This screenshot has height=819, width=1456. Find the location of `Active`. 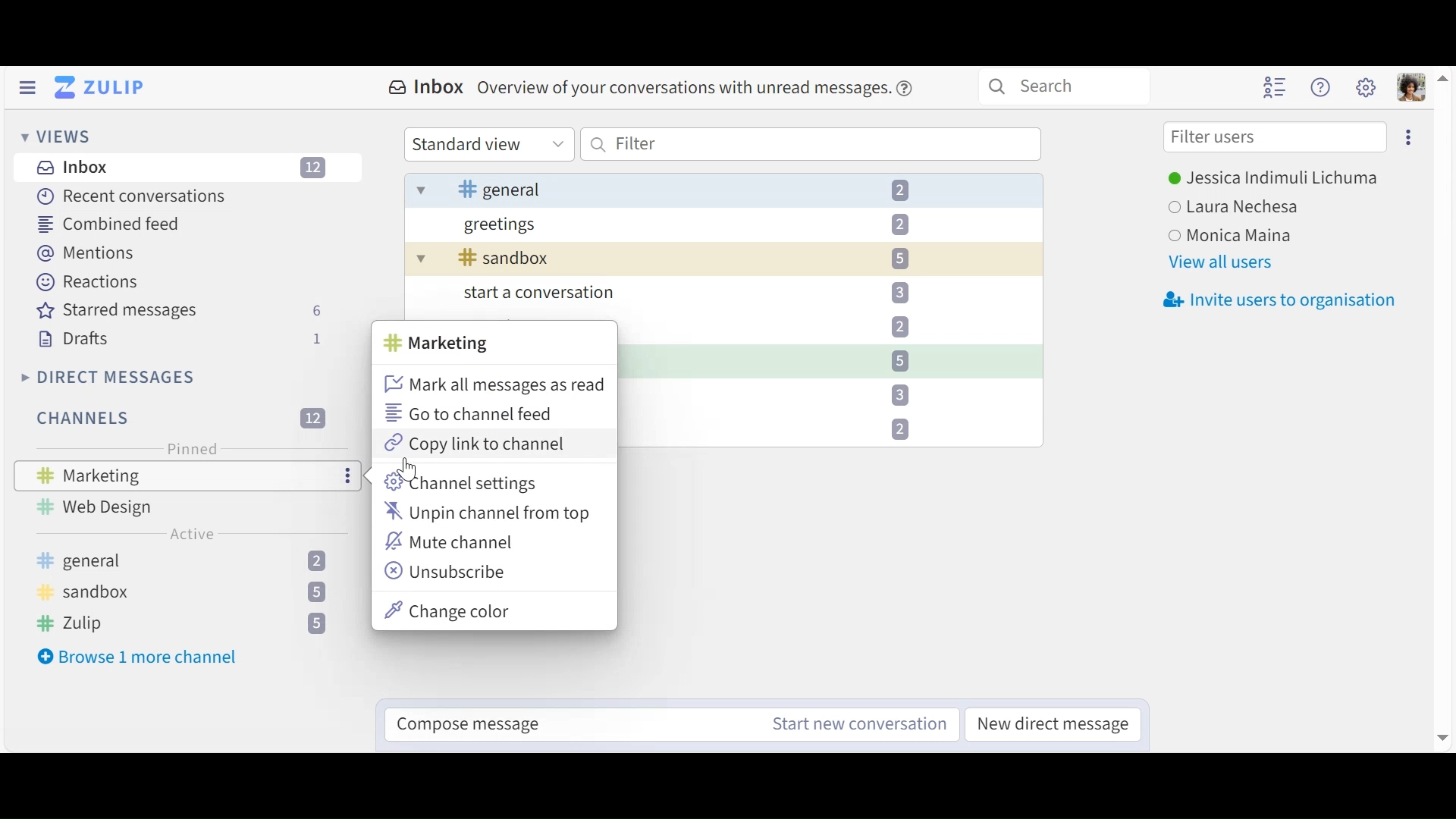

Active is located at coordinates (193, 534).